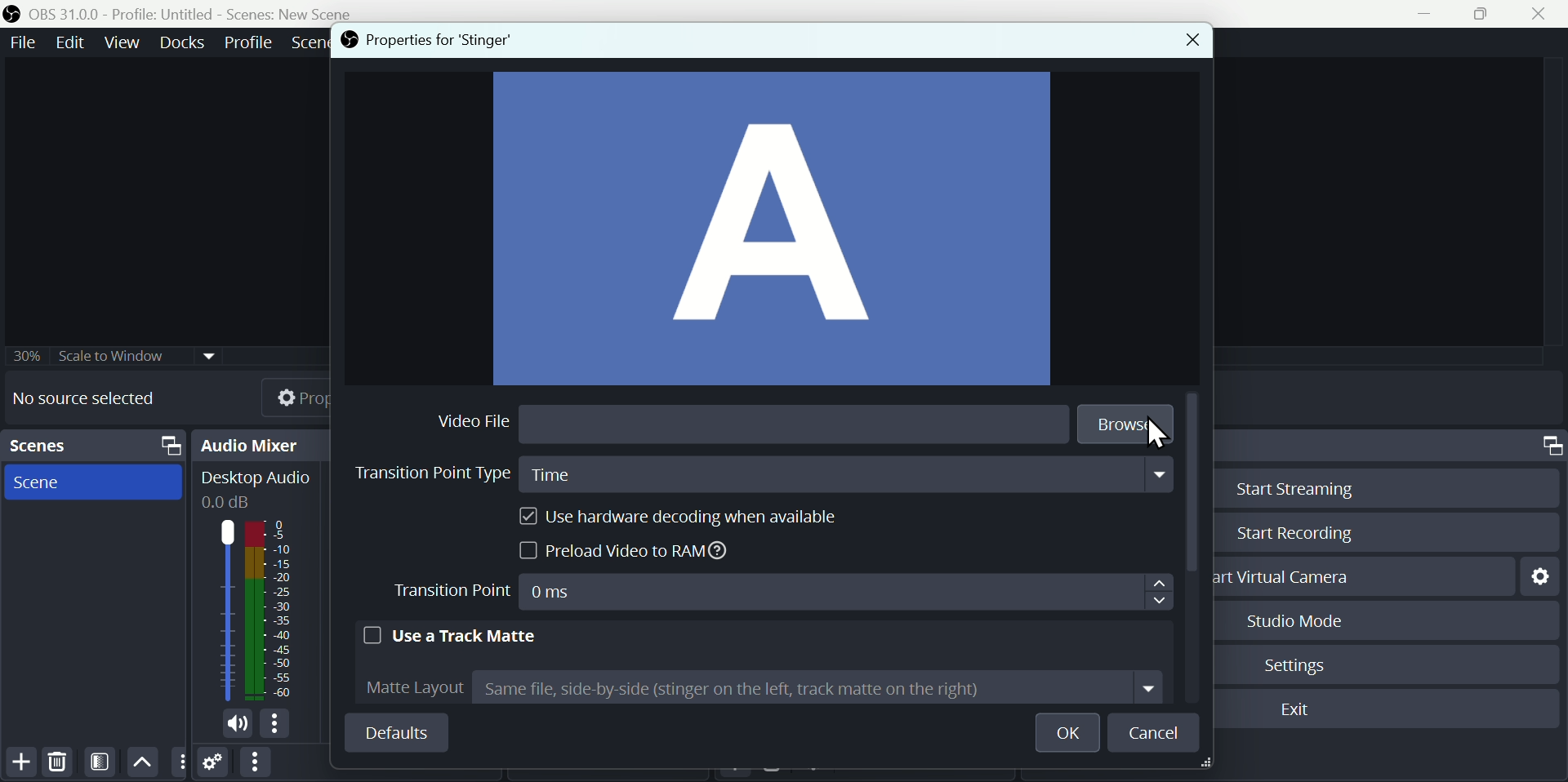 The width and height of the screenshot is (1568, 782). I want to click on Start virtual camera, so click(1291, 576).